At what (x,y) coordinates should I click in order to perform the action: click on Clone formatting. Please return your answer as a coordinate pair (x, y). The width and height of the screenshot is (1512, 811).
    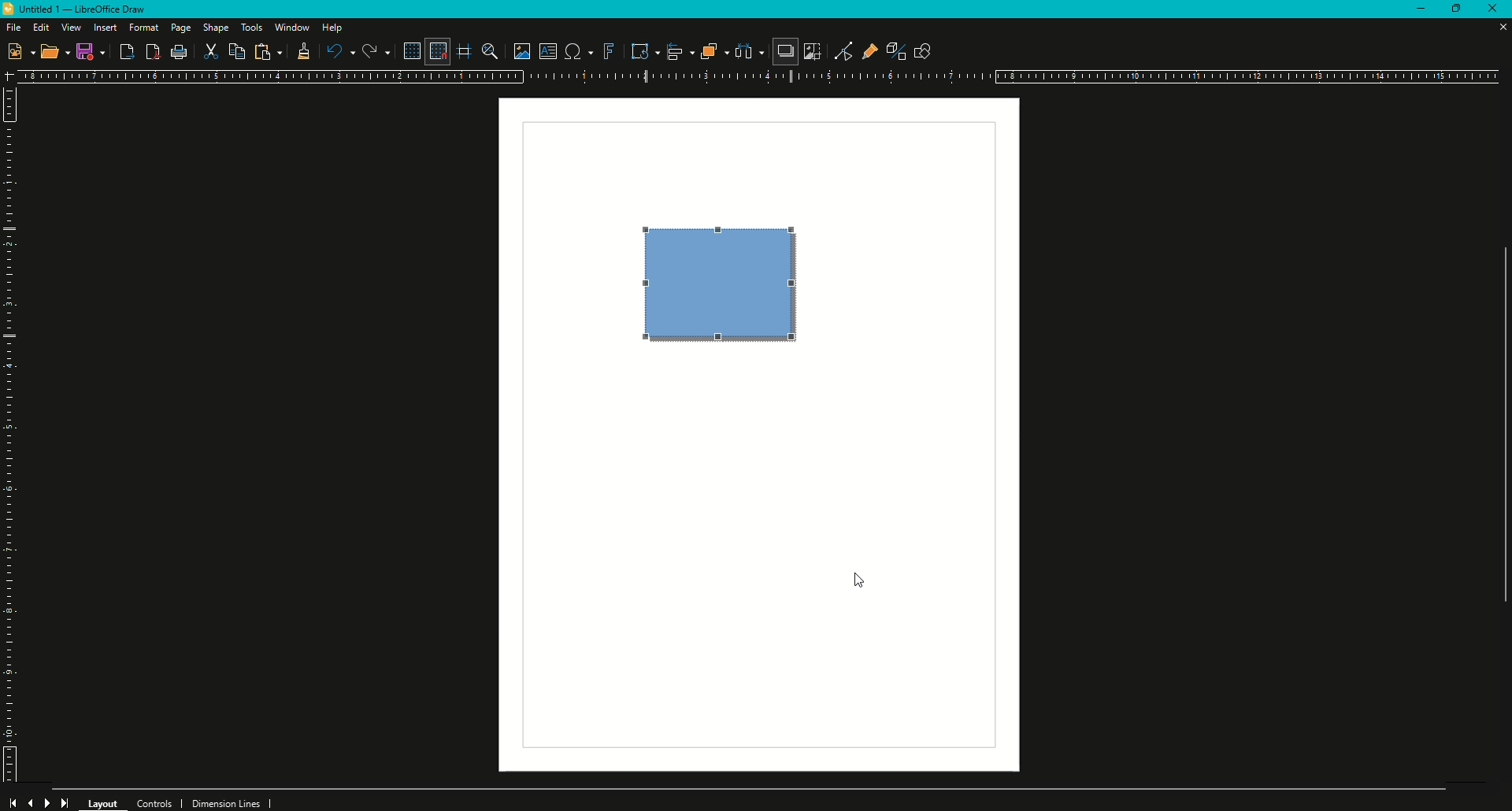
    Looking at the image, I should click on (301, 52).